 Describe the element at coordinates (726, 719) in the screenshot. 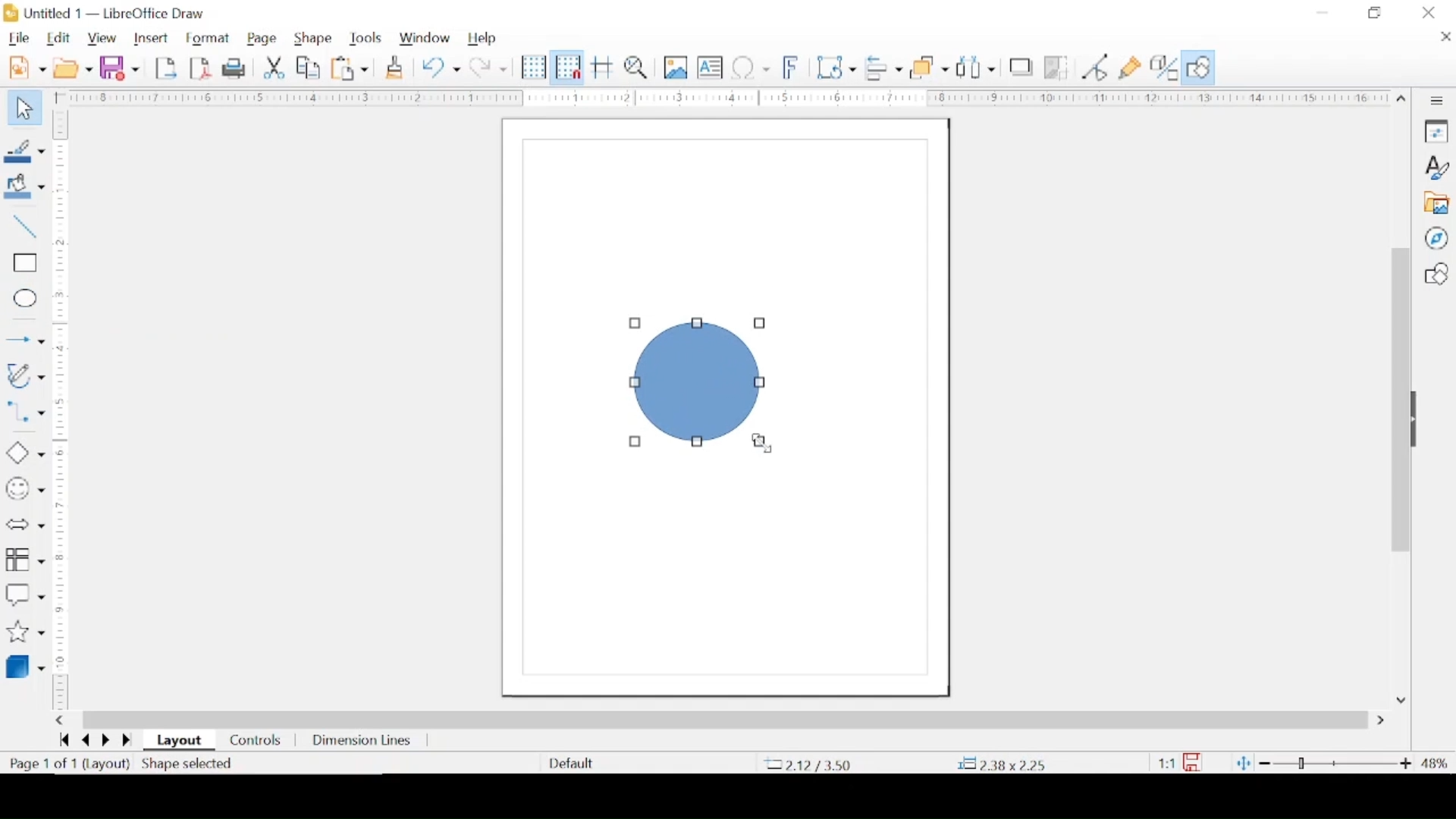

I see `scroll box` at that location.